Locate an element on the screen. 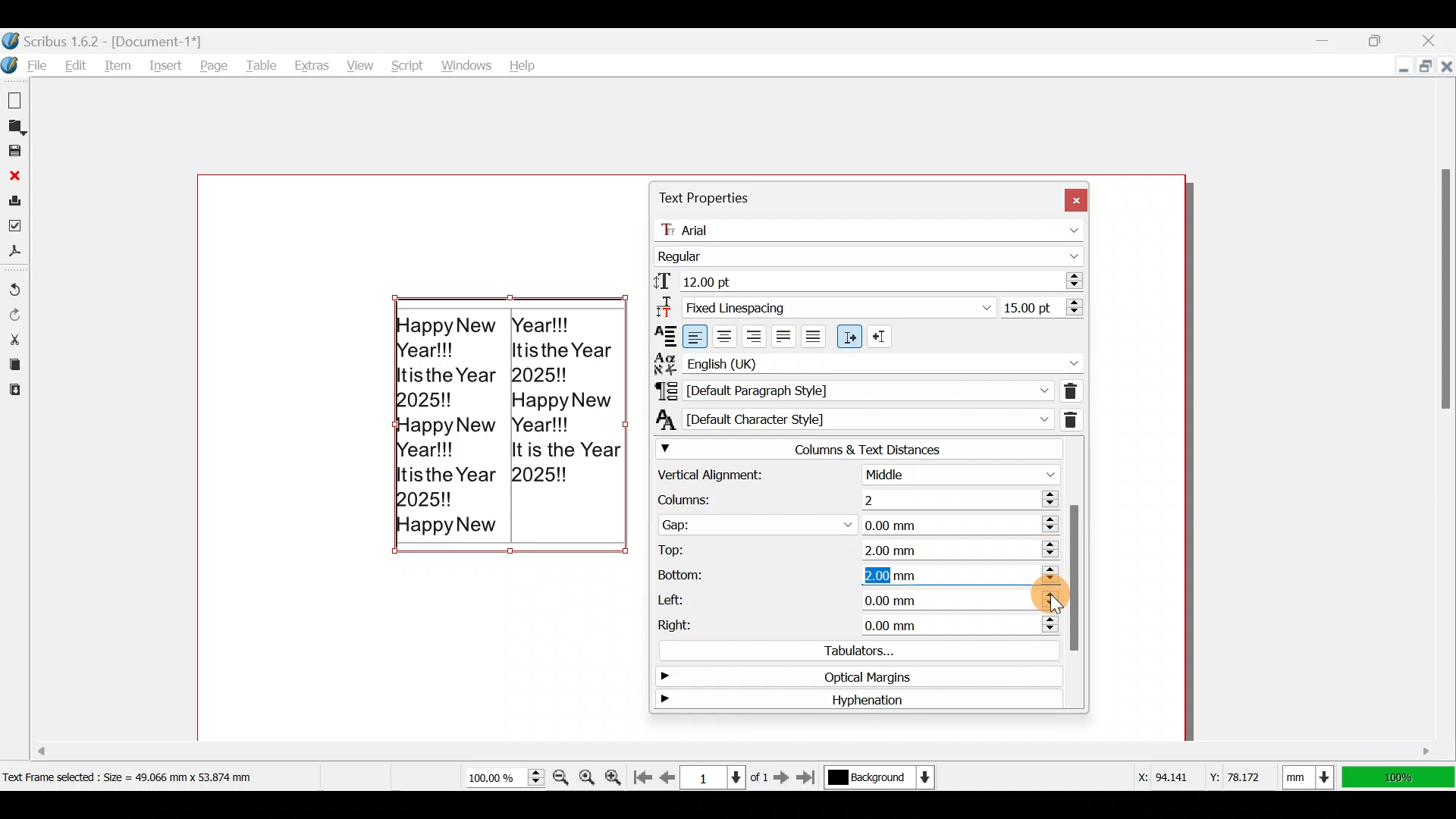  Scroll bar is located at coordinates (613, 748).